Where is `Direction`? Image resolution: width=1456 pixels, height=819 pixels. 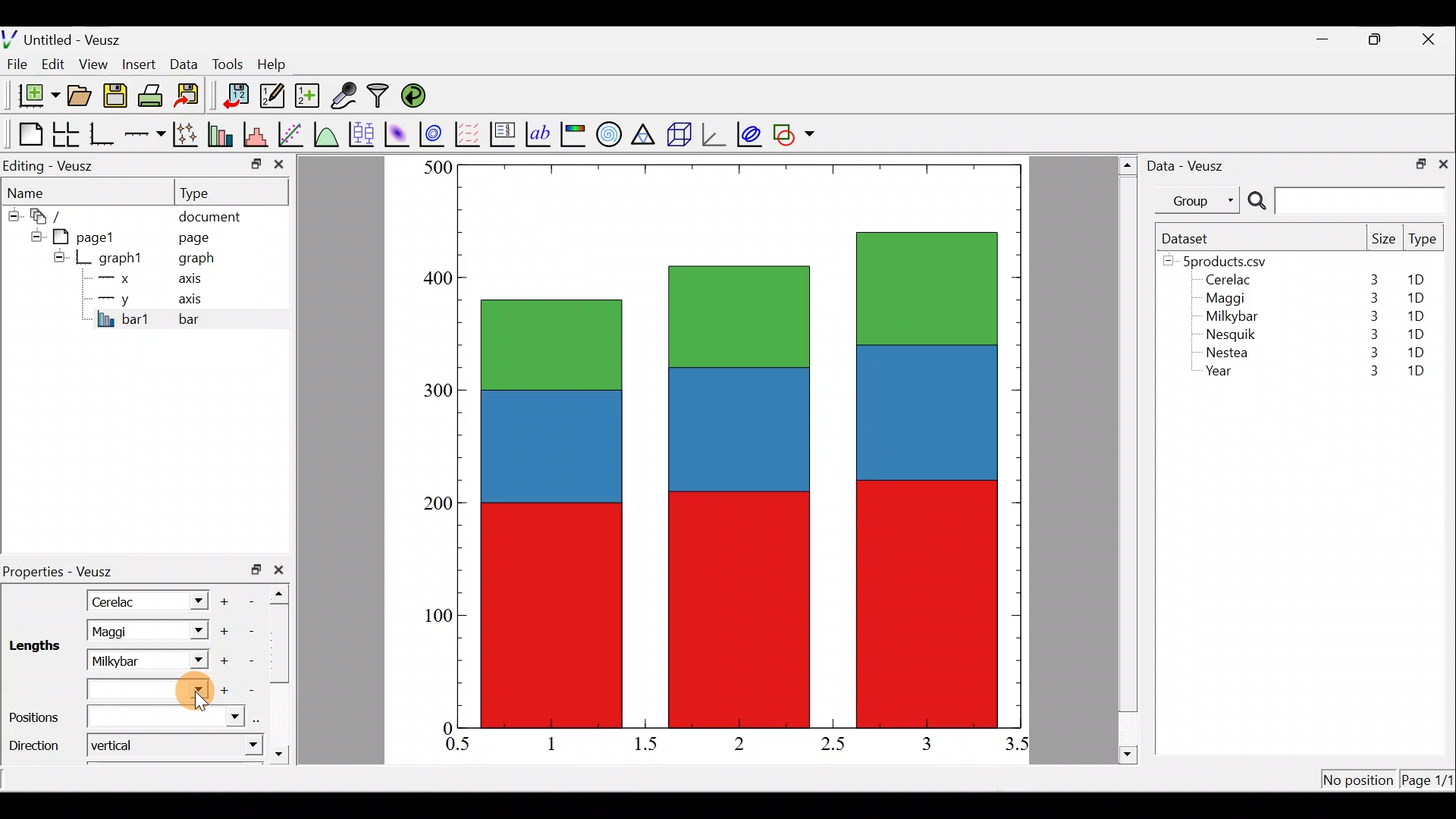 Direction is located at coordinates (38, 746).